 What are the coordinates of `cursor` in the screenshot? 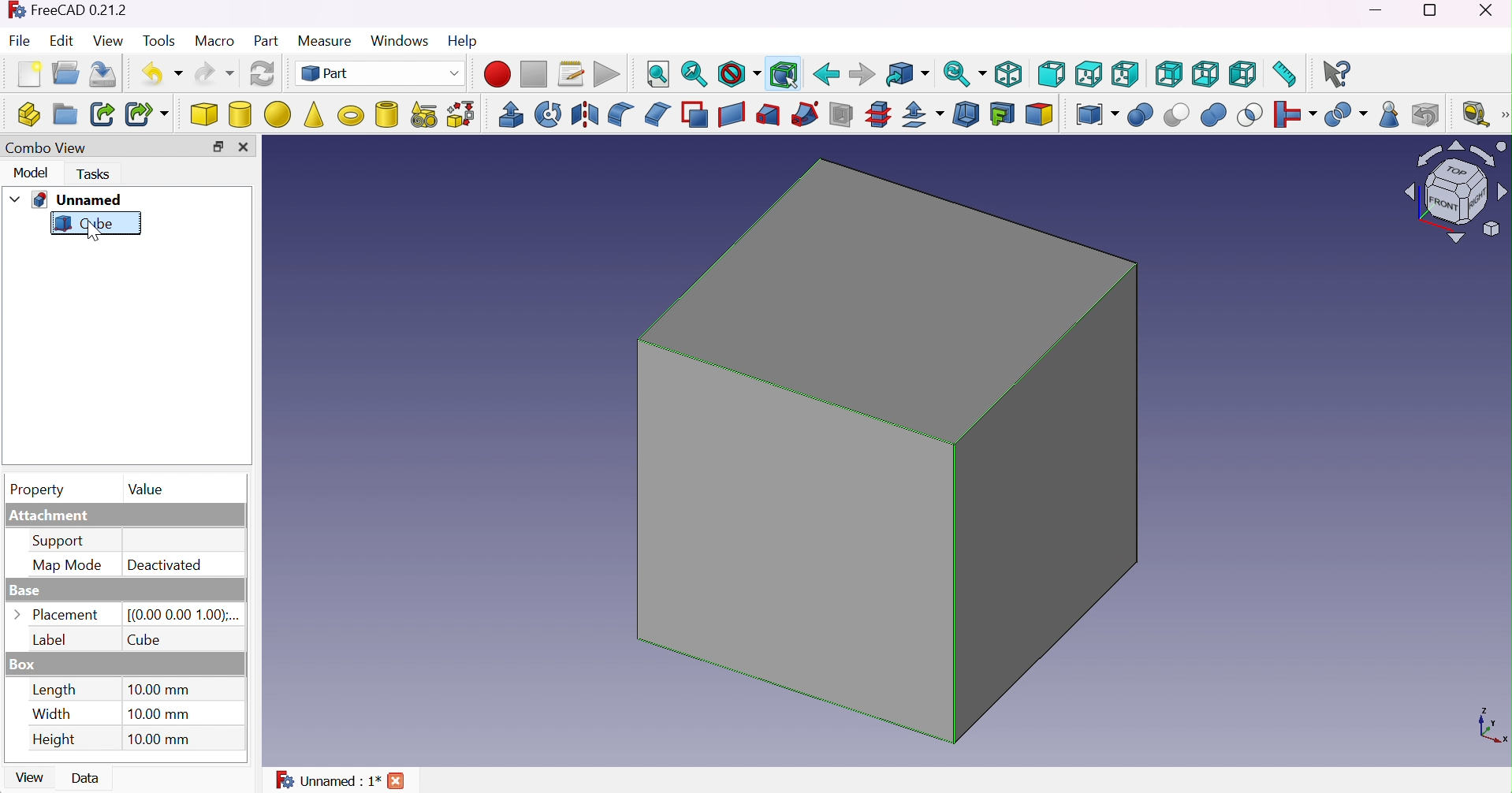 It's located at (99, 231).